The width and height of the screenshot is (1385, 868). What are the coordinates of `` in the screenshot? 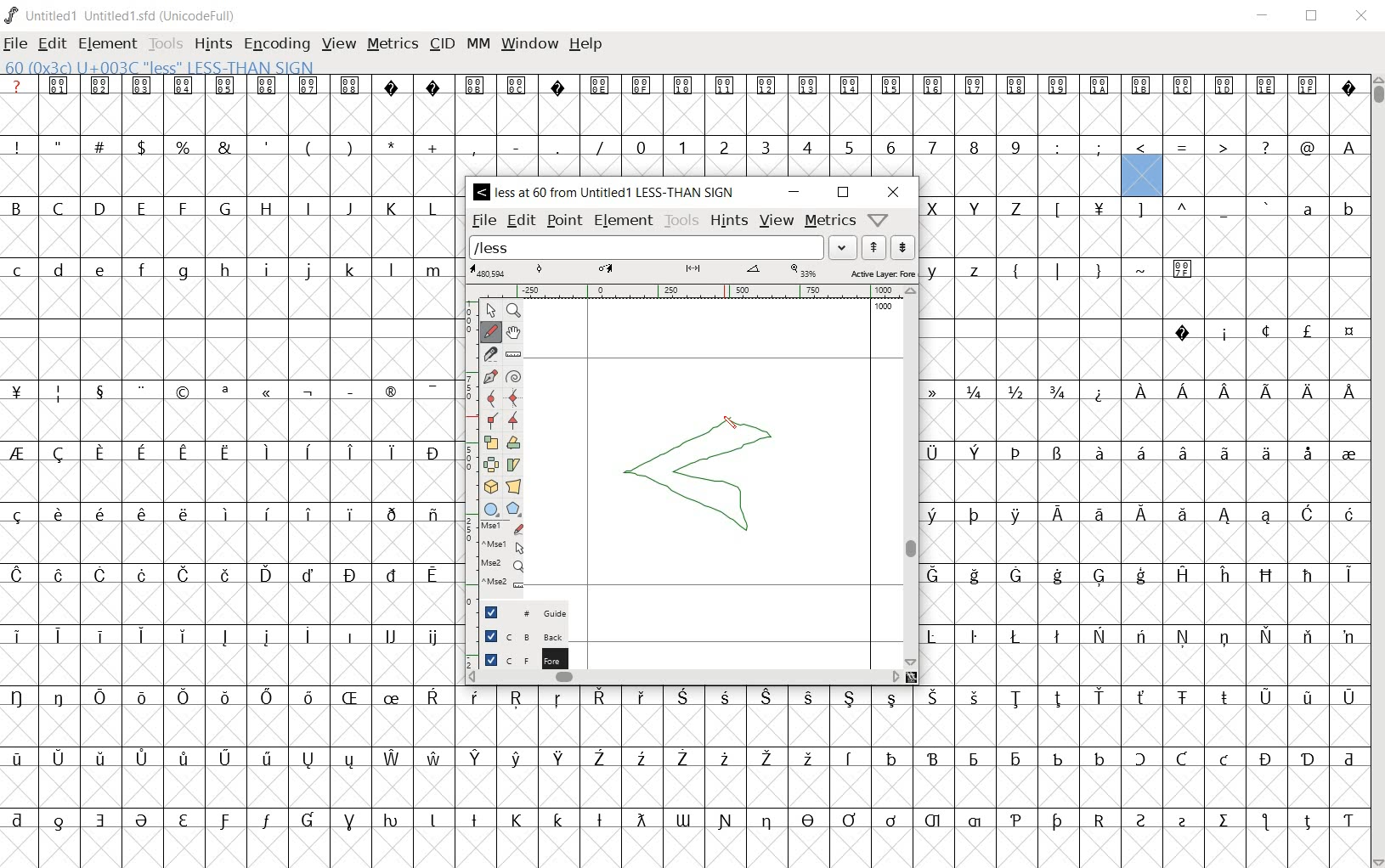 It's located at (680, 697).